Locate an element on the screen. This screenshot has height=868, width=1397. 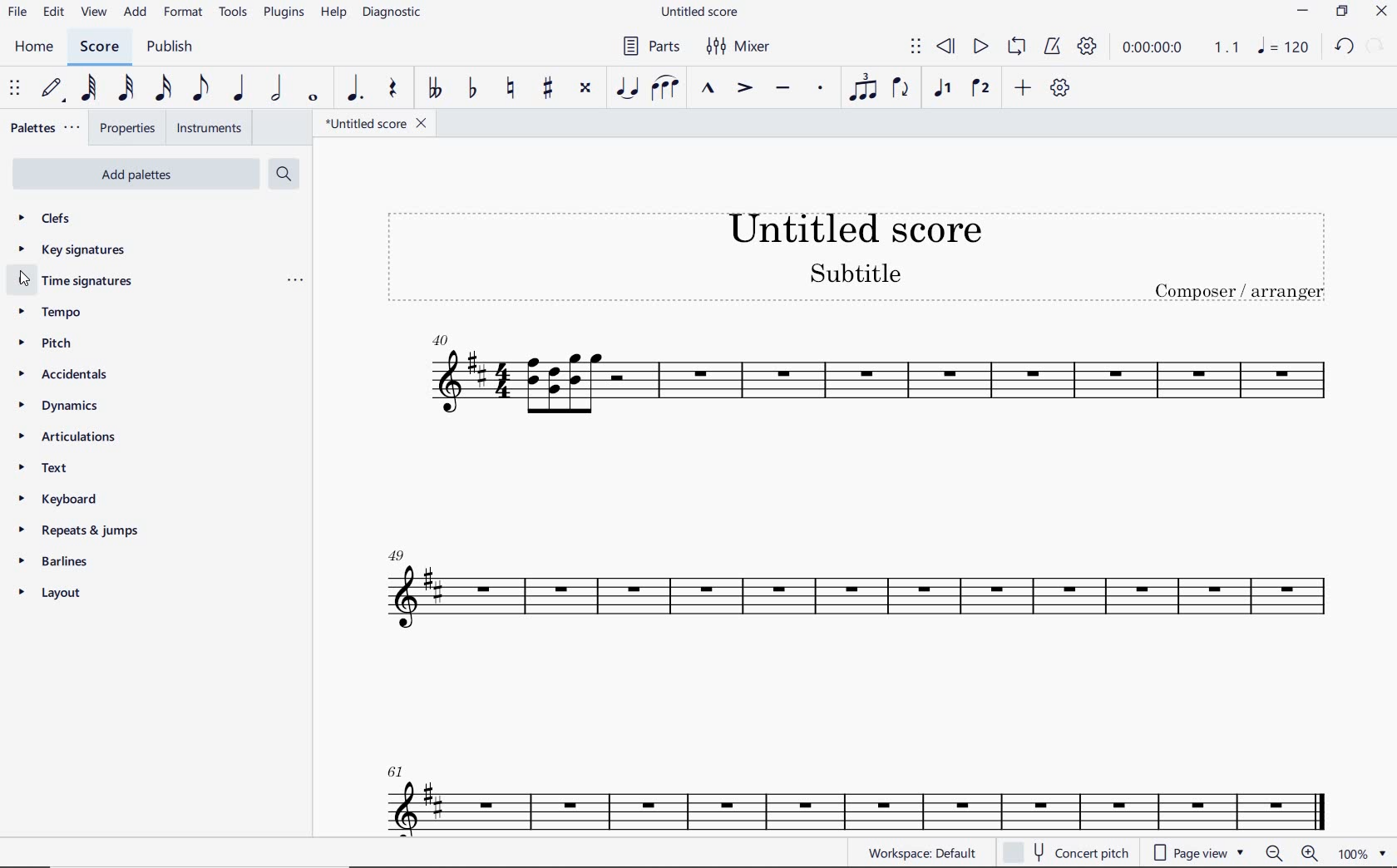
QUARTER NOTE is located at coordinates (239, 88).